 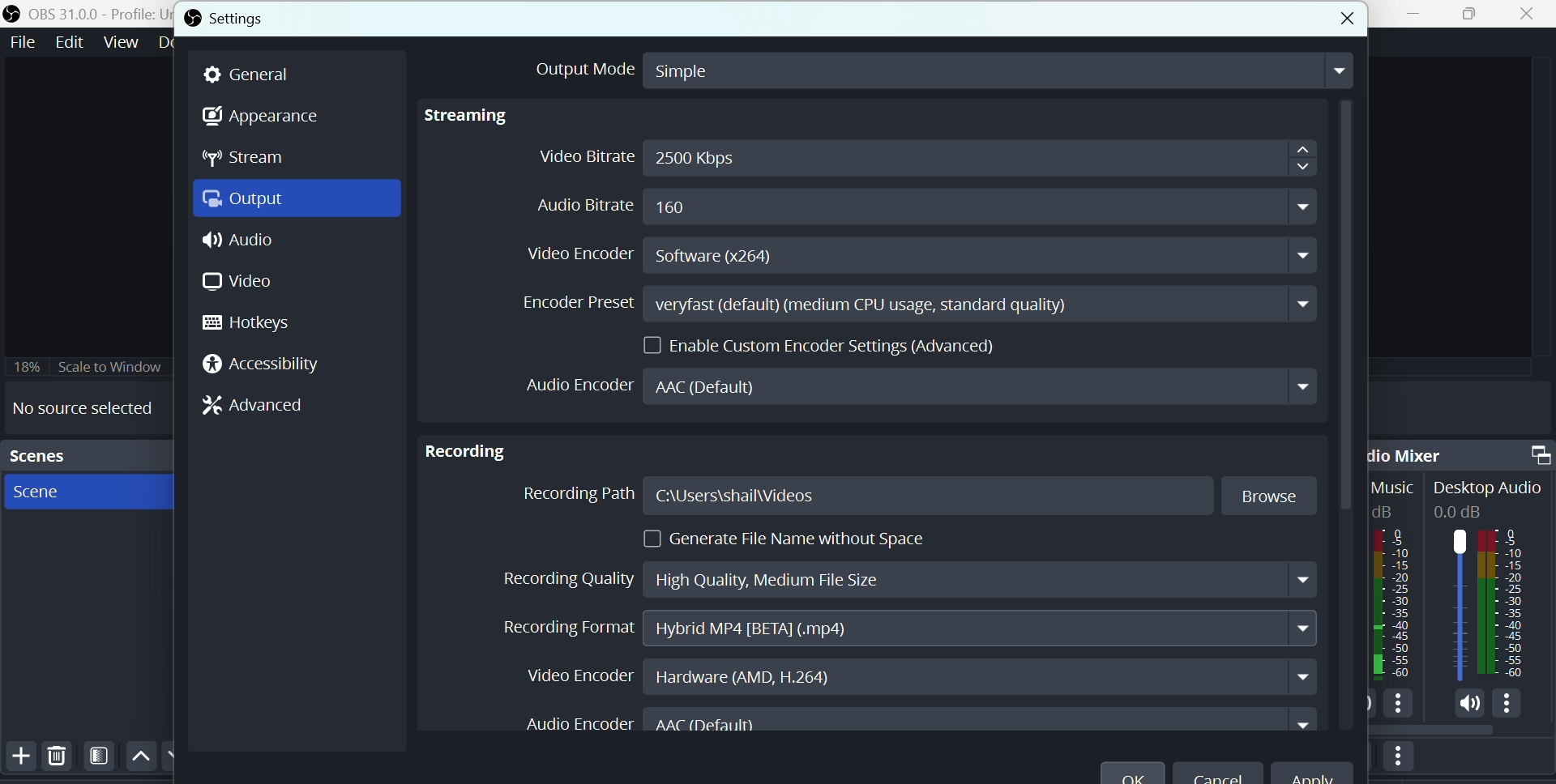 I want to click on  Scale to window, so click(x=87, y=366).